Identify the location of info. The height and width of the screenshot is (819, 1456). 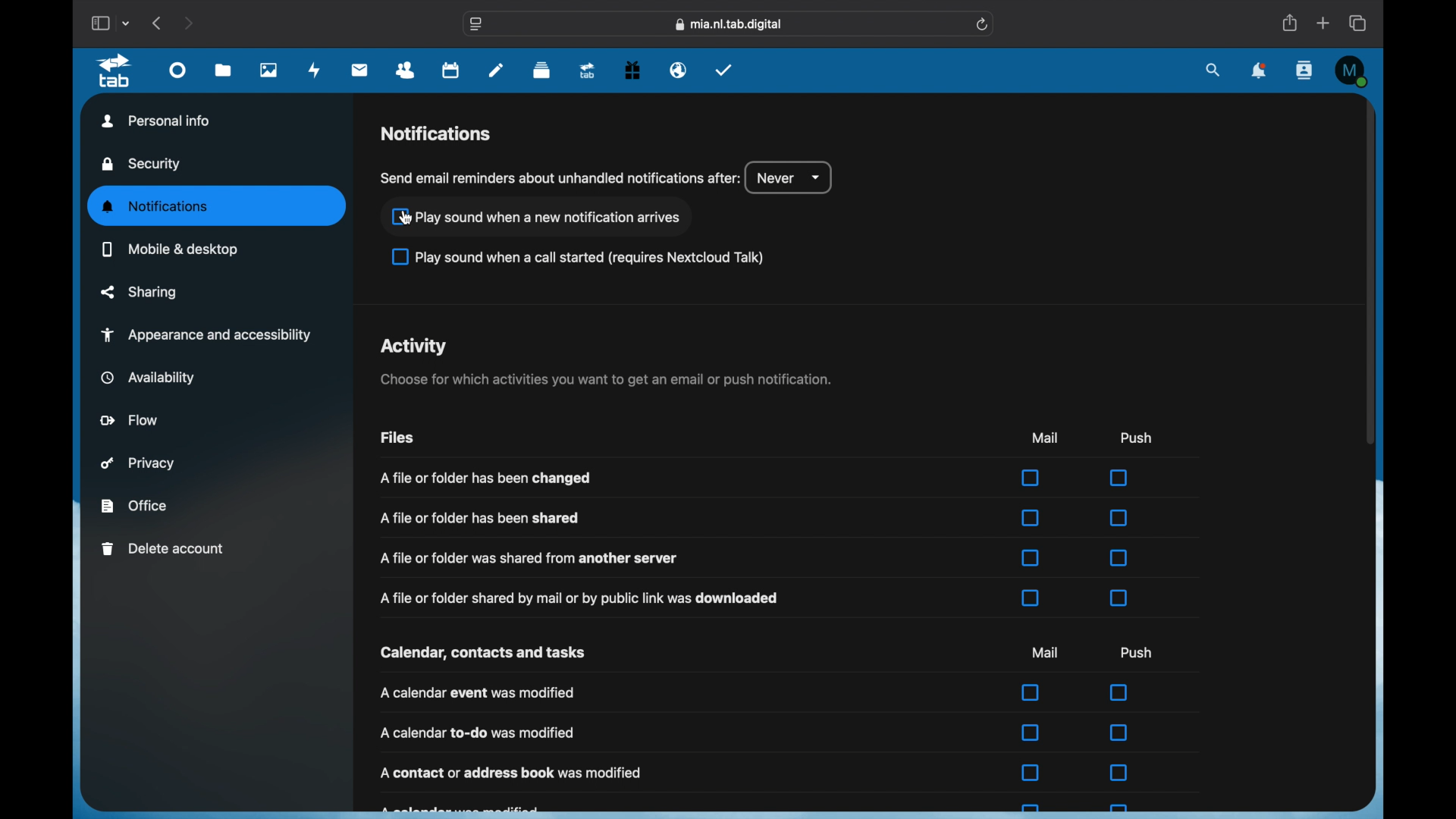
(513, 773).